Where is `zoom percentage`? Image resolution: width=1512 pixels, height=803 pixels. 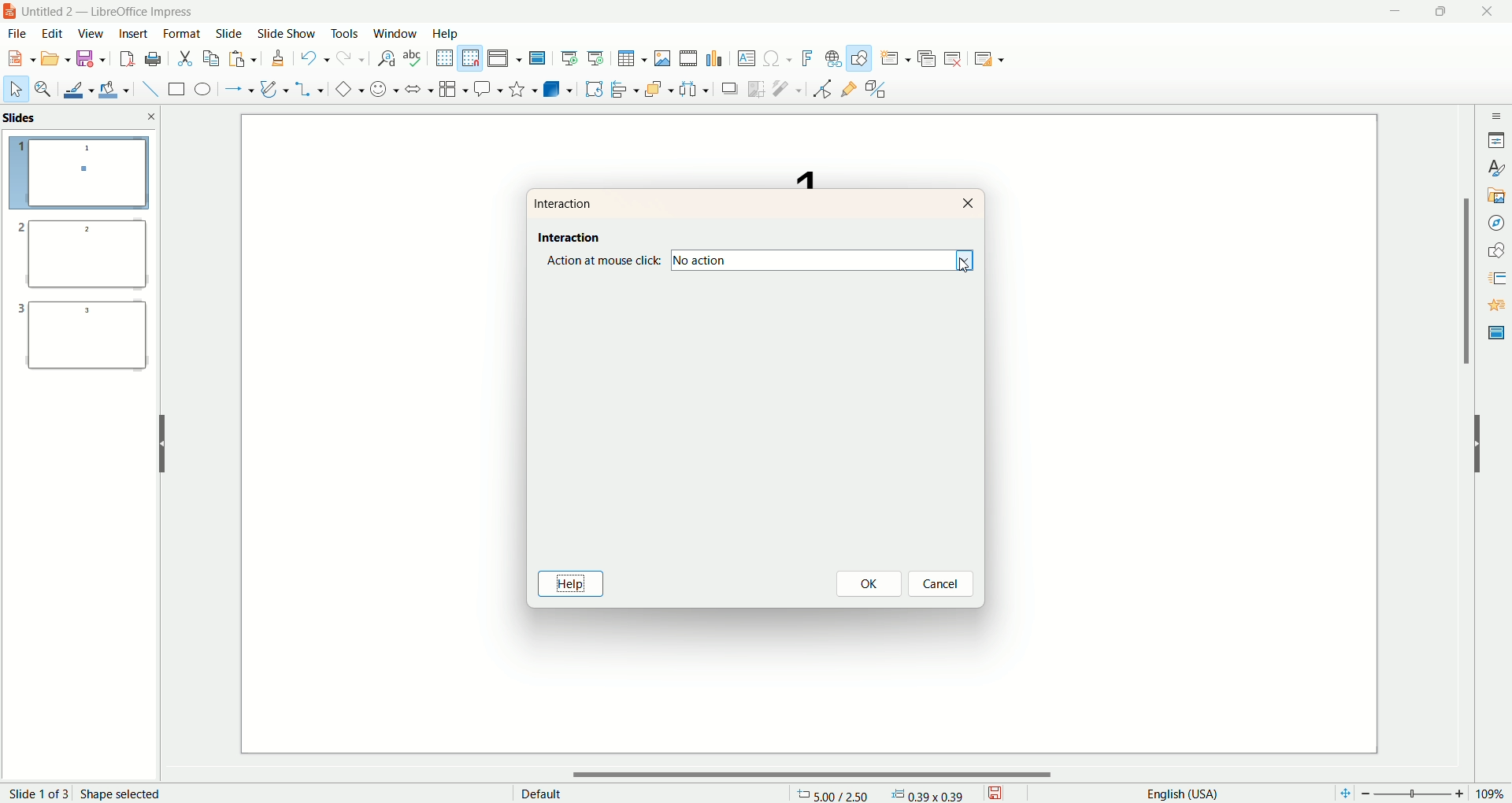
zoom percentage is located at coordinates (1494, 794).